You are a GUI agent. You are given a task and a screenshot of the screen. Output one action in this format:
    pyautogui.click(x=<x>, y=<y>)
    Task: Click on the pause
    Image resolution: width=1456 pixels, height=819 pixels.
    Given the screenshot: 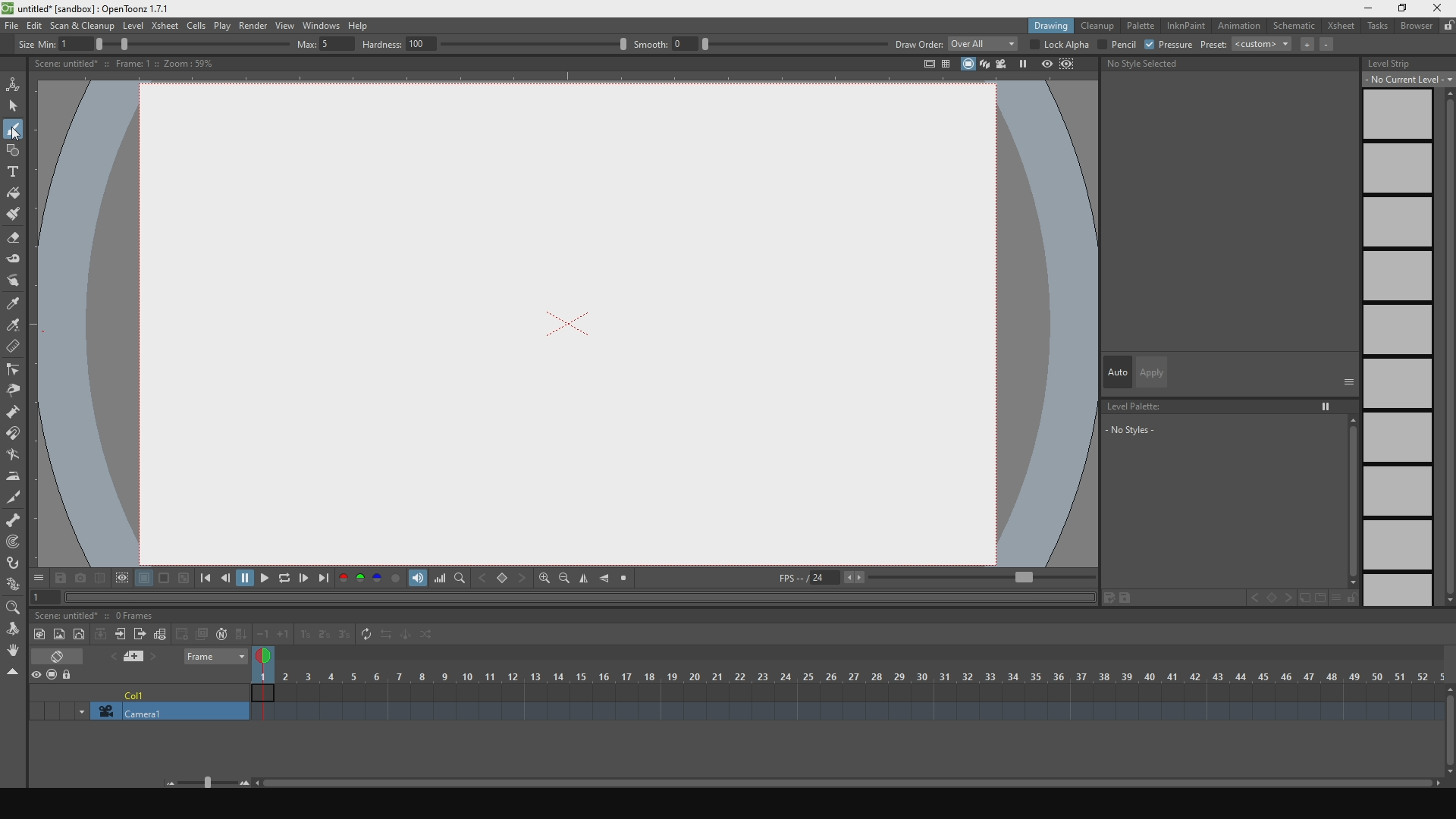 What is the action you would take?
    pyautogui.click(x=1024, y=65)
    